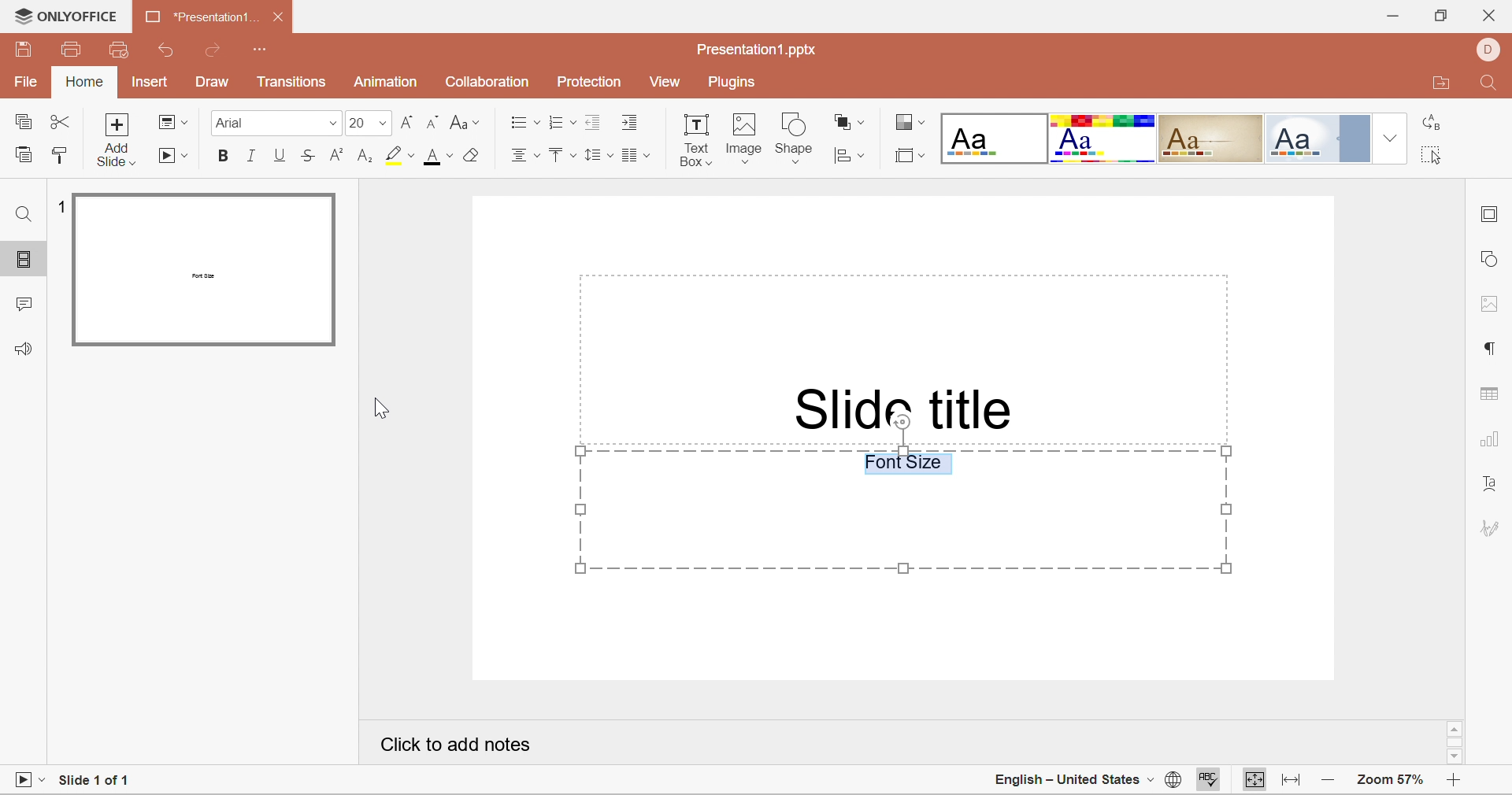  I want to click on Zoom in, so click(1453, 783).